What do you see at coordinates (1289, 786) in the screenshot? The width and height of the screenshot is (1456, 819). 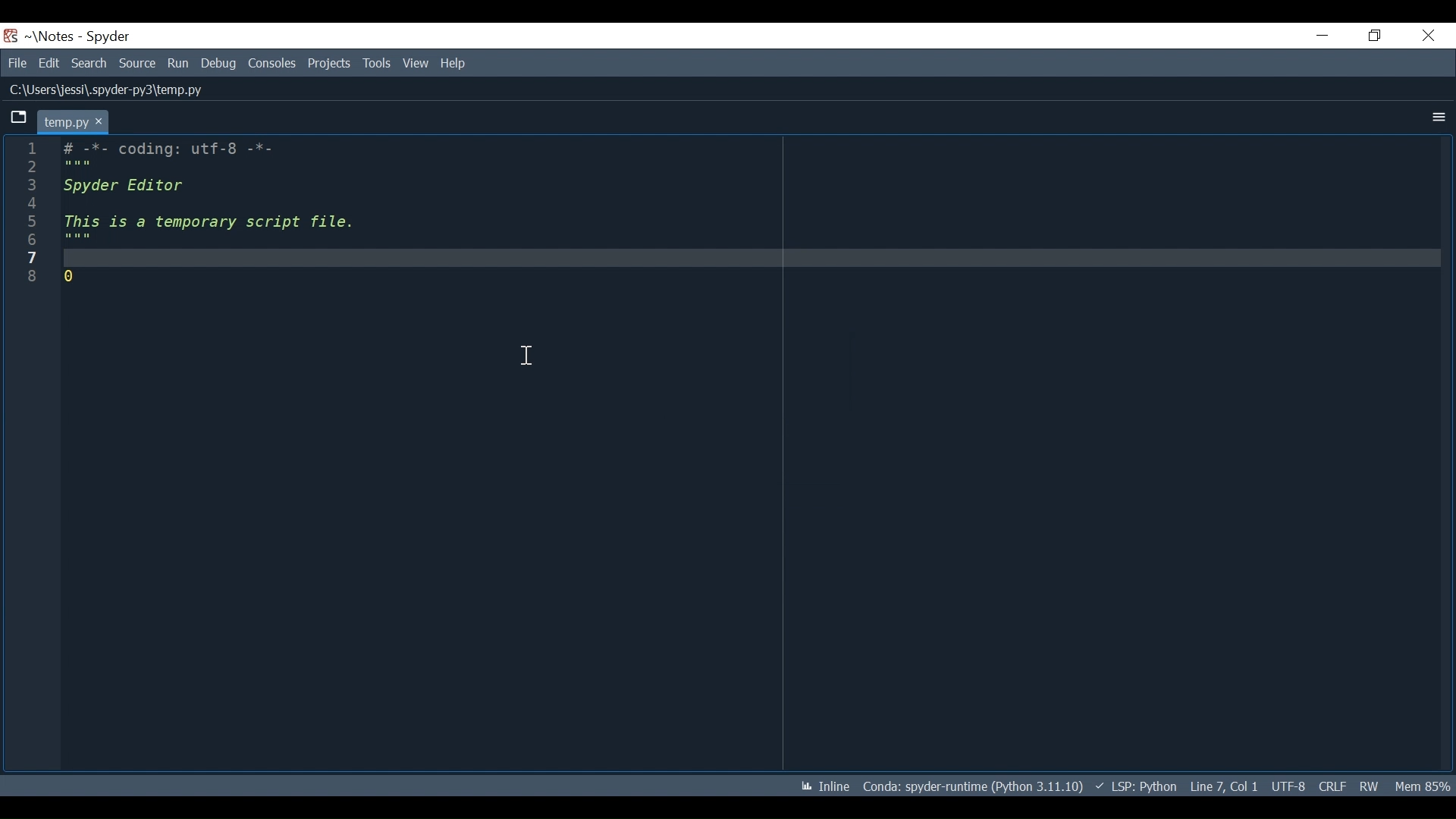 I see `UTF: 8` at bounding box center [1289, 786].